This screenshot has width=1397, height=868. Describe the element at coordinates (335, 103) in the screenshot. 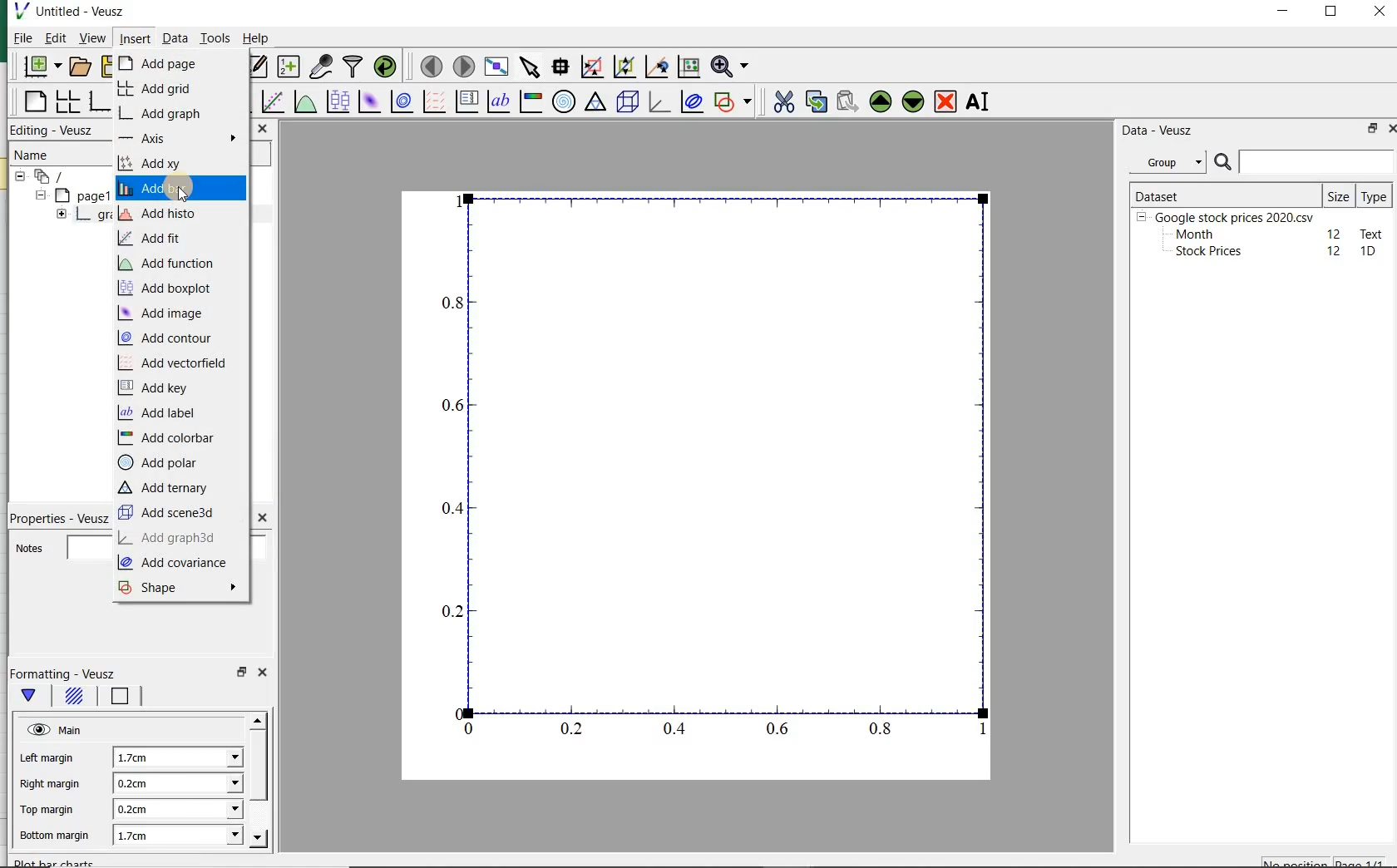

I see `plot box plots` at that location.